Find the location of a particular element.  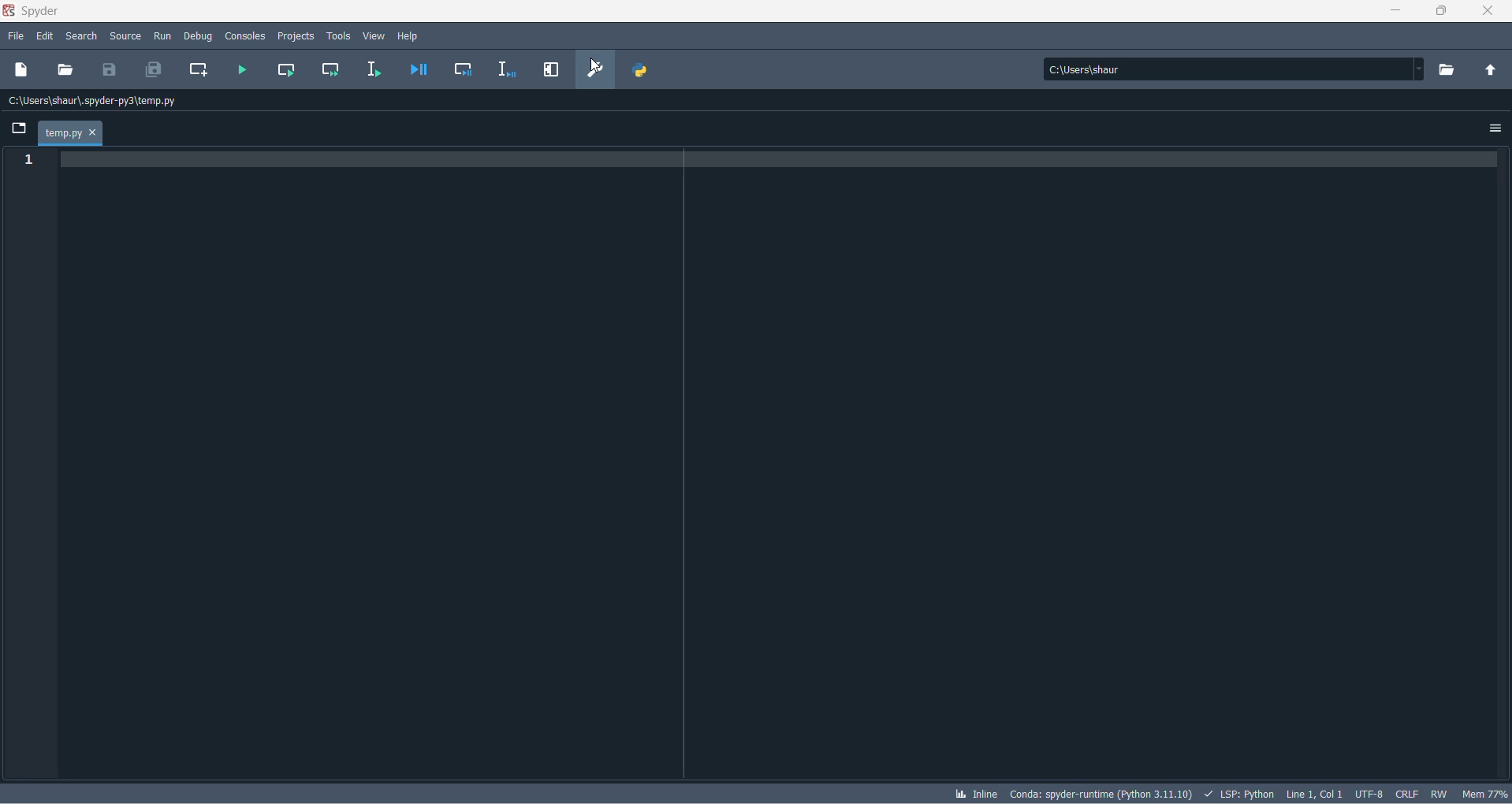

source is located at coordinates (125, 38).